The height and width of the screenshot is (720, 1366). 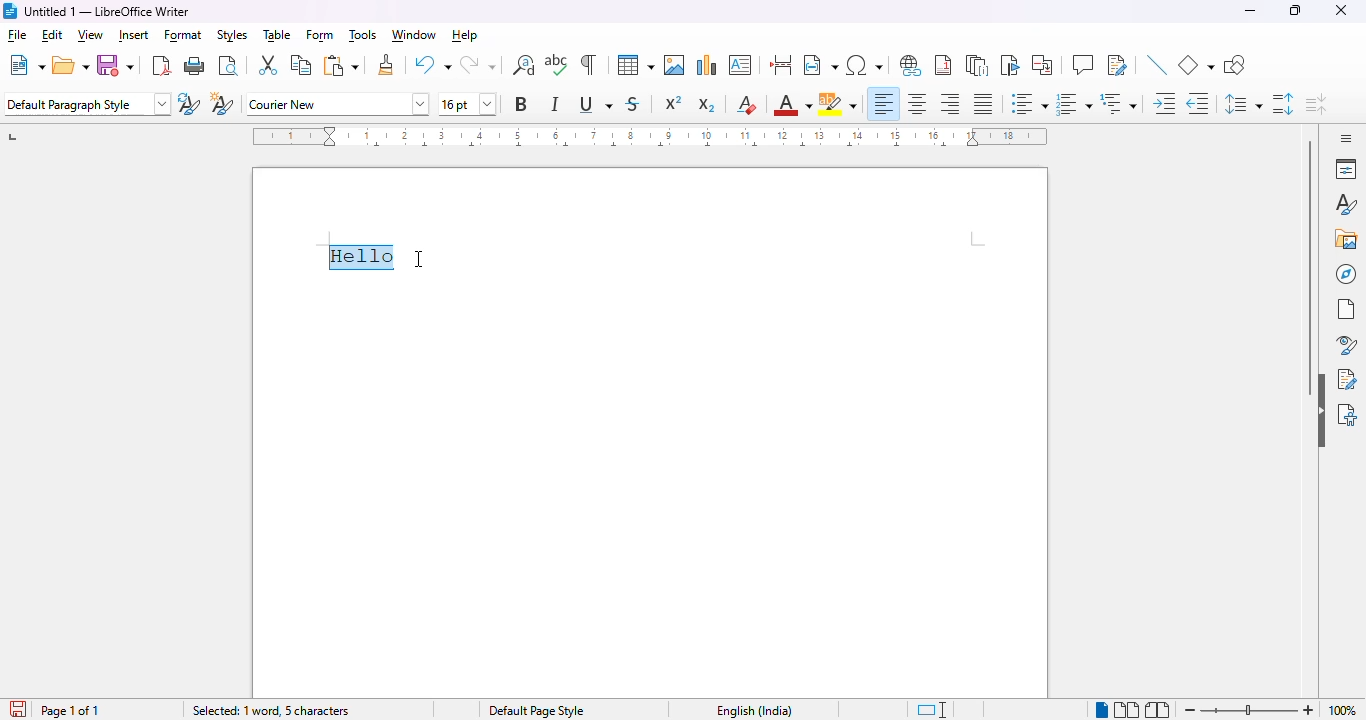 I want to click on save, so click(x=116, y=65).